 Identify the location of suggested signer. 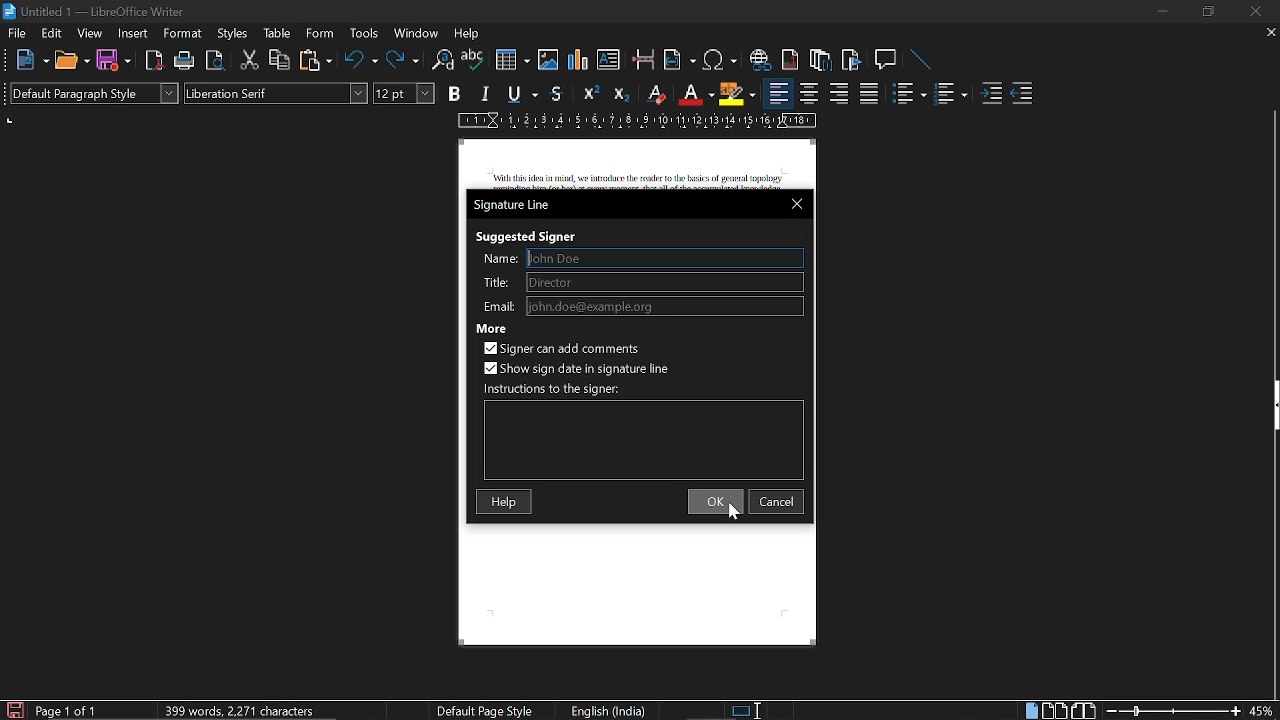
(524, 236).